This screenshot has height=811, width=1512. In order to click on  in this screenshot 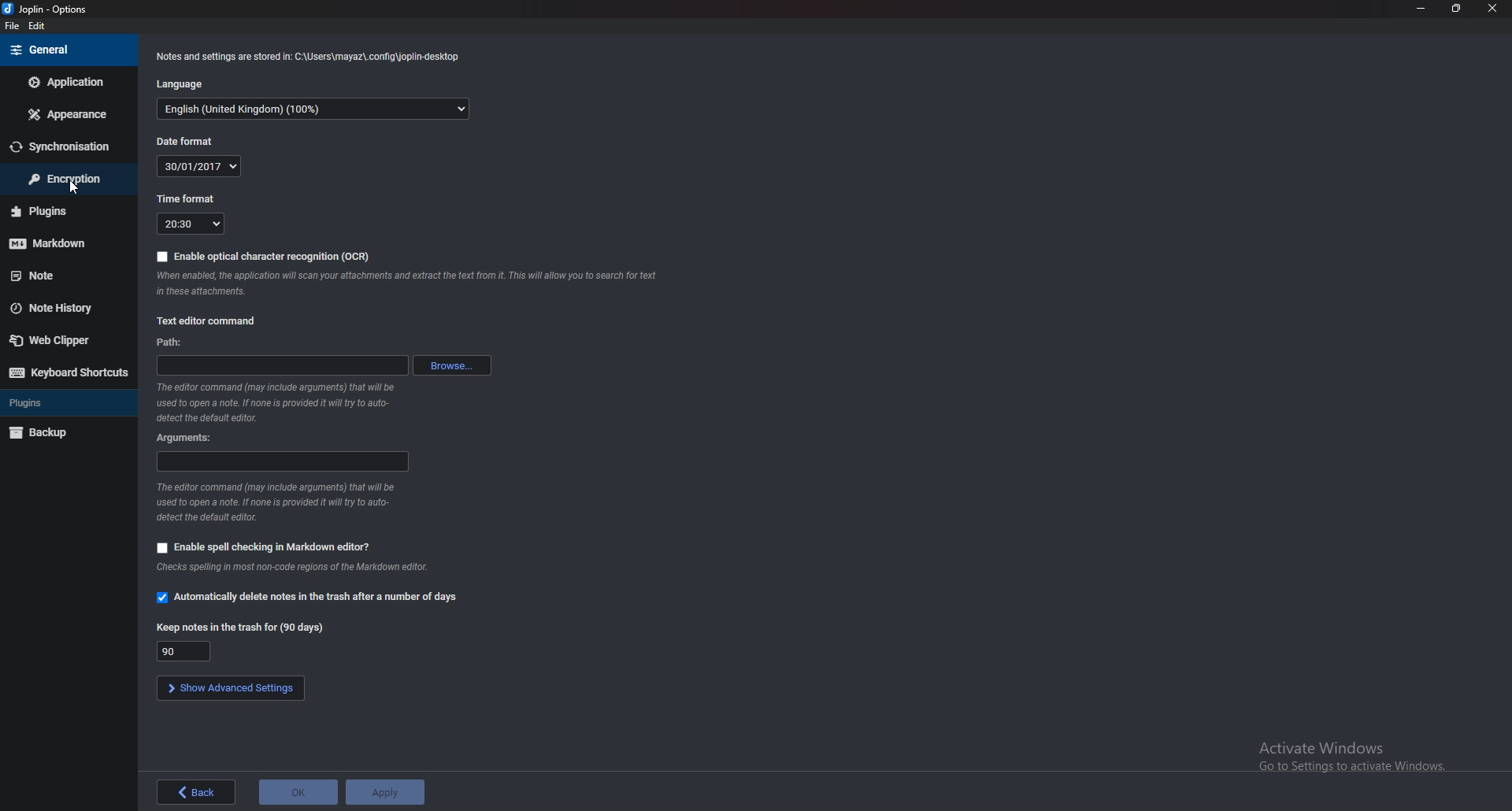, I will do `click(71, 188)`.